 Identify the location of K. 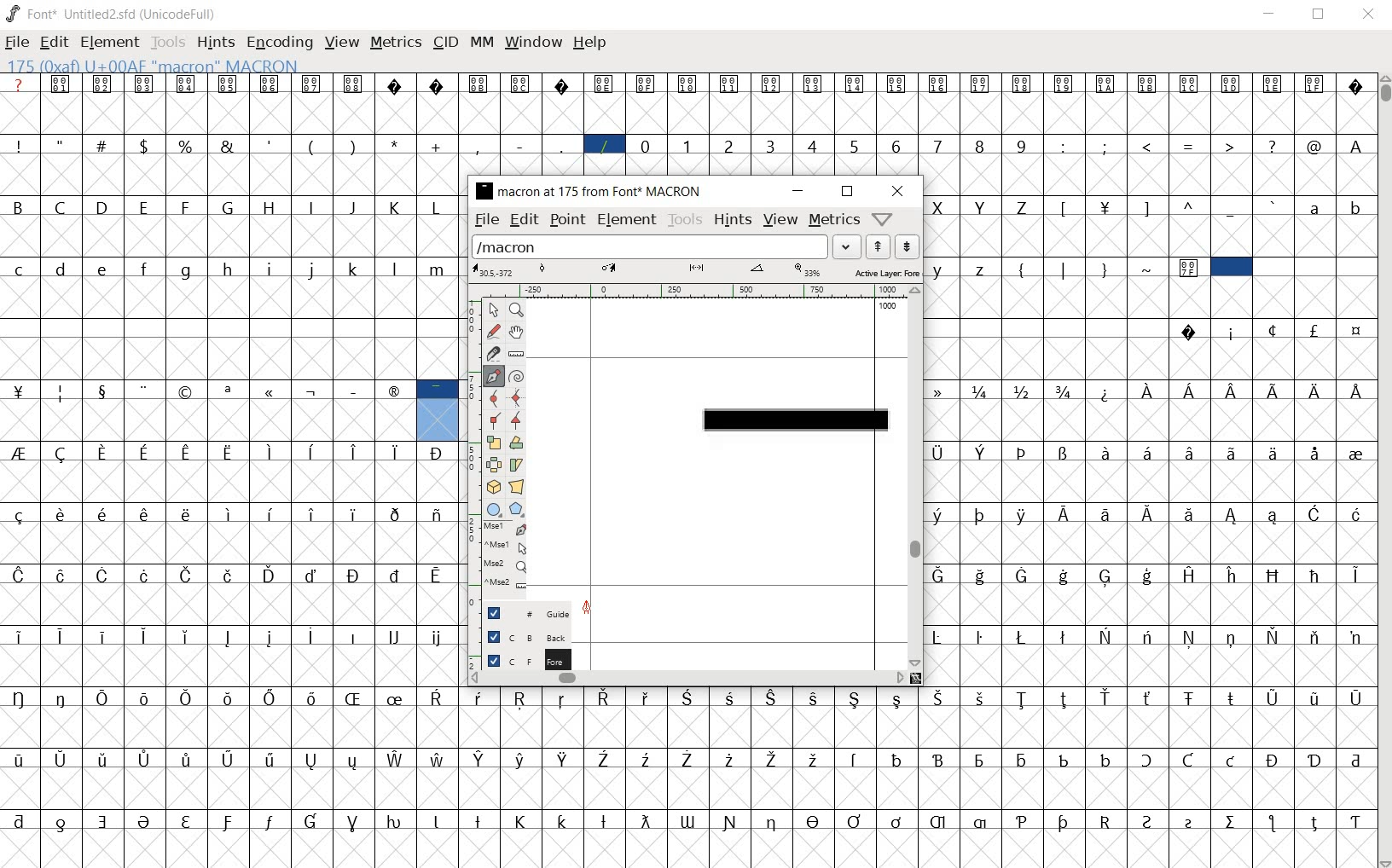
(397, 206).